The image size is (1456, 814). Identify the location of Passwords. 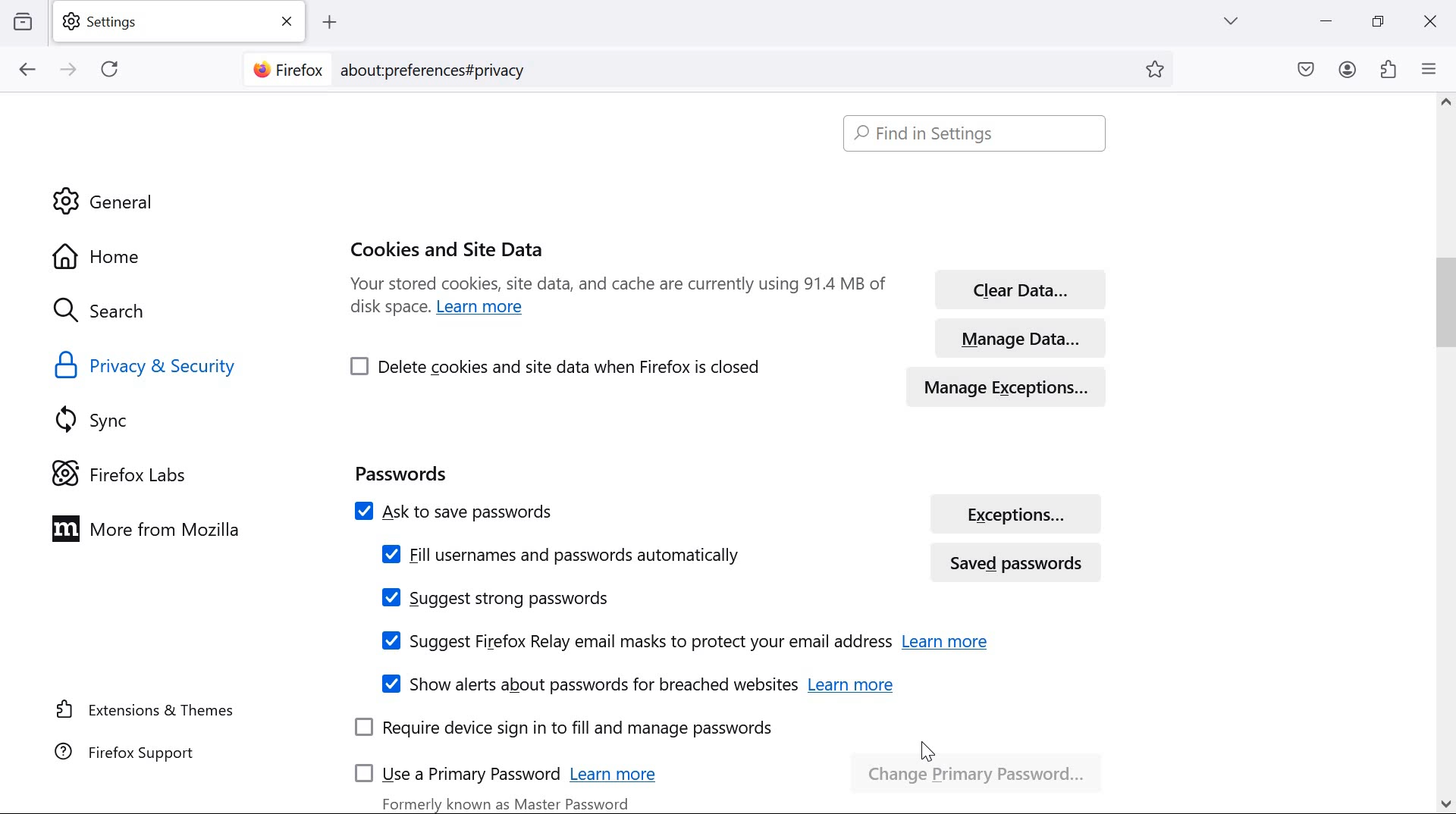
(400, 471).